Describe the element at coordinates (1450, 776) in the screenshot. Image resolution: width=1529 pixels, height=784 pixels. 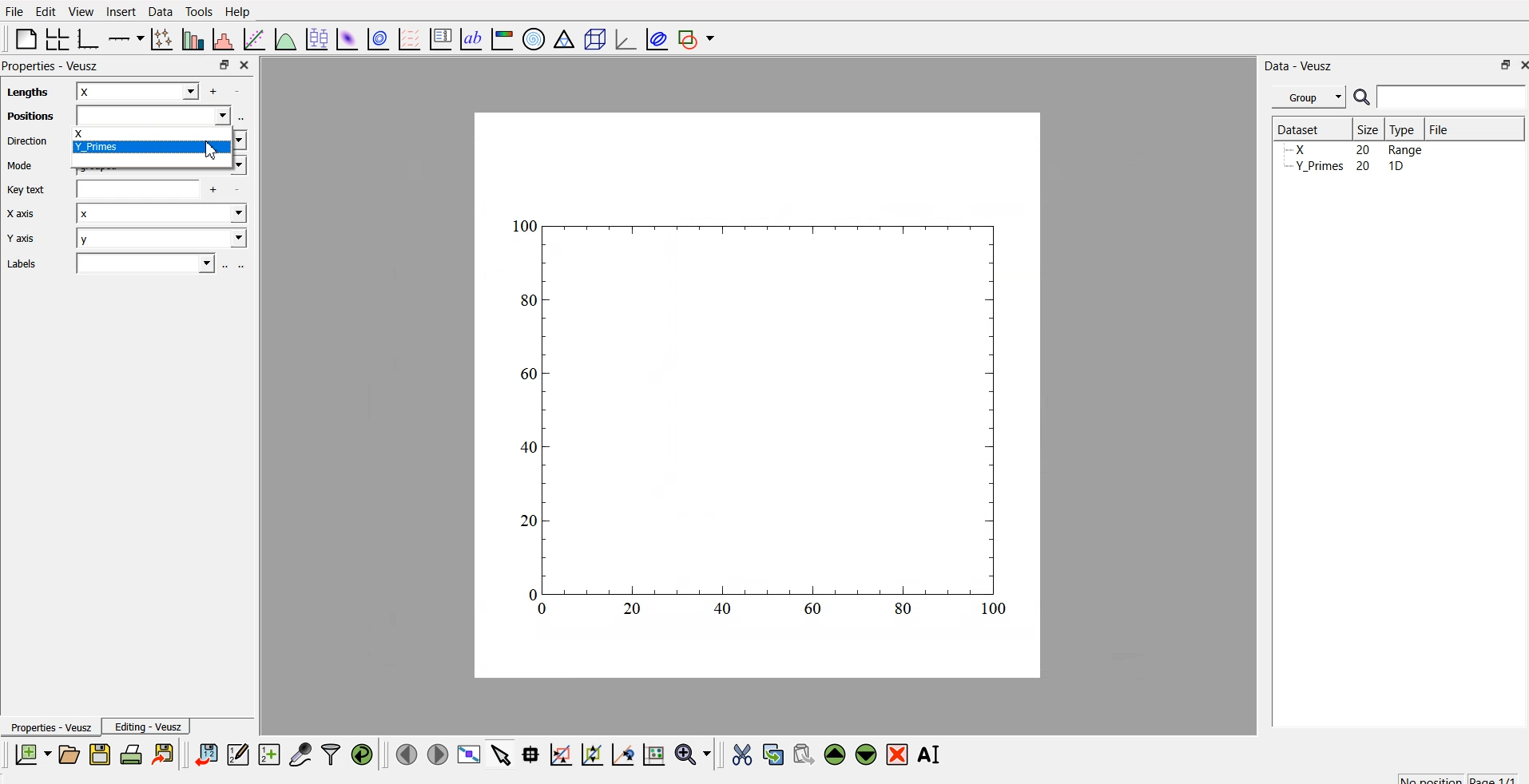
I see `no position page 1/1` at that location.